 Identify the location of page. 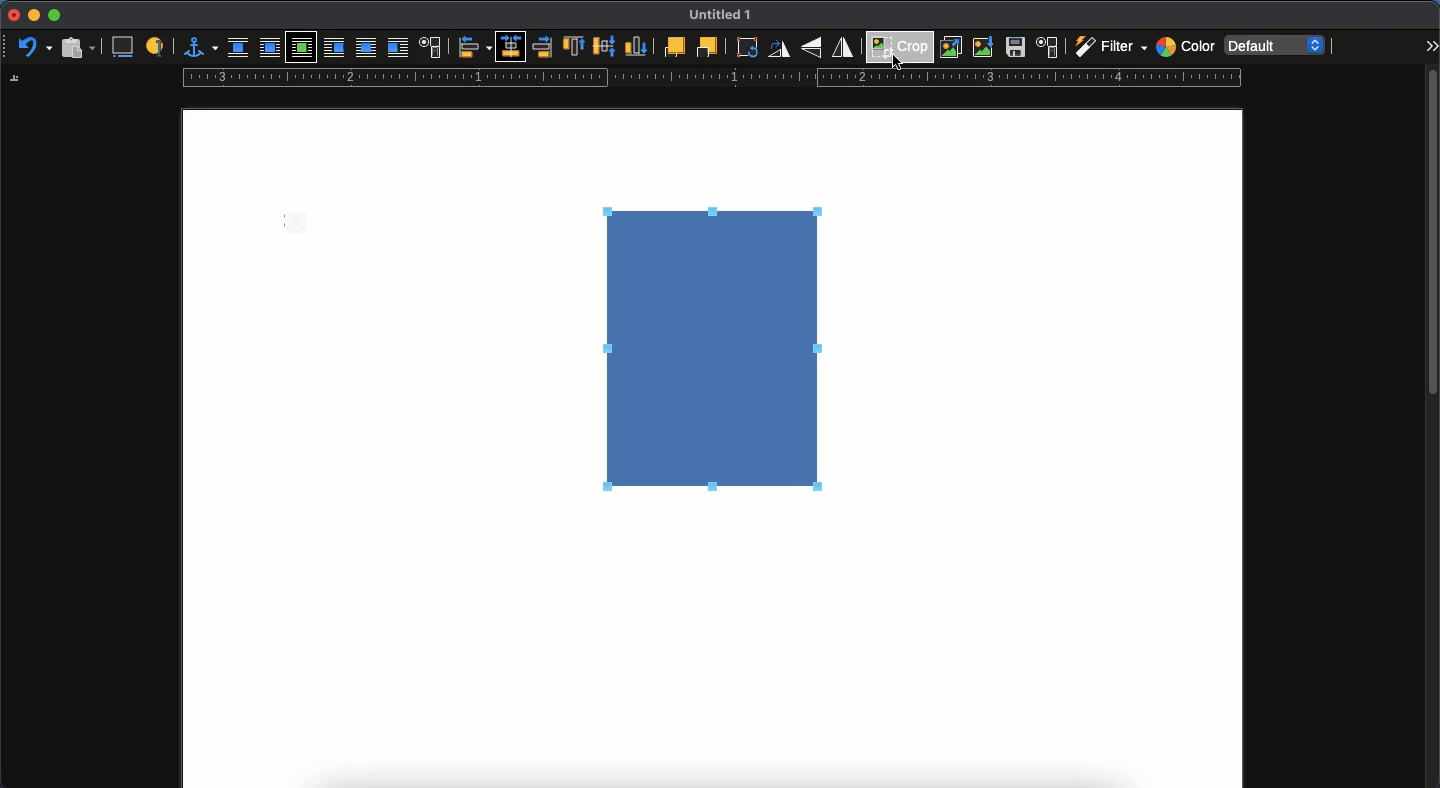
(712, 657).